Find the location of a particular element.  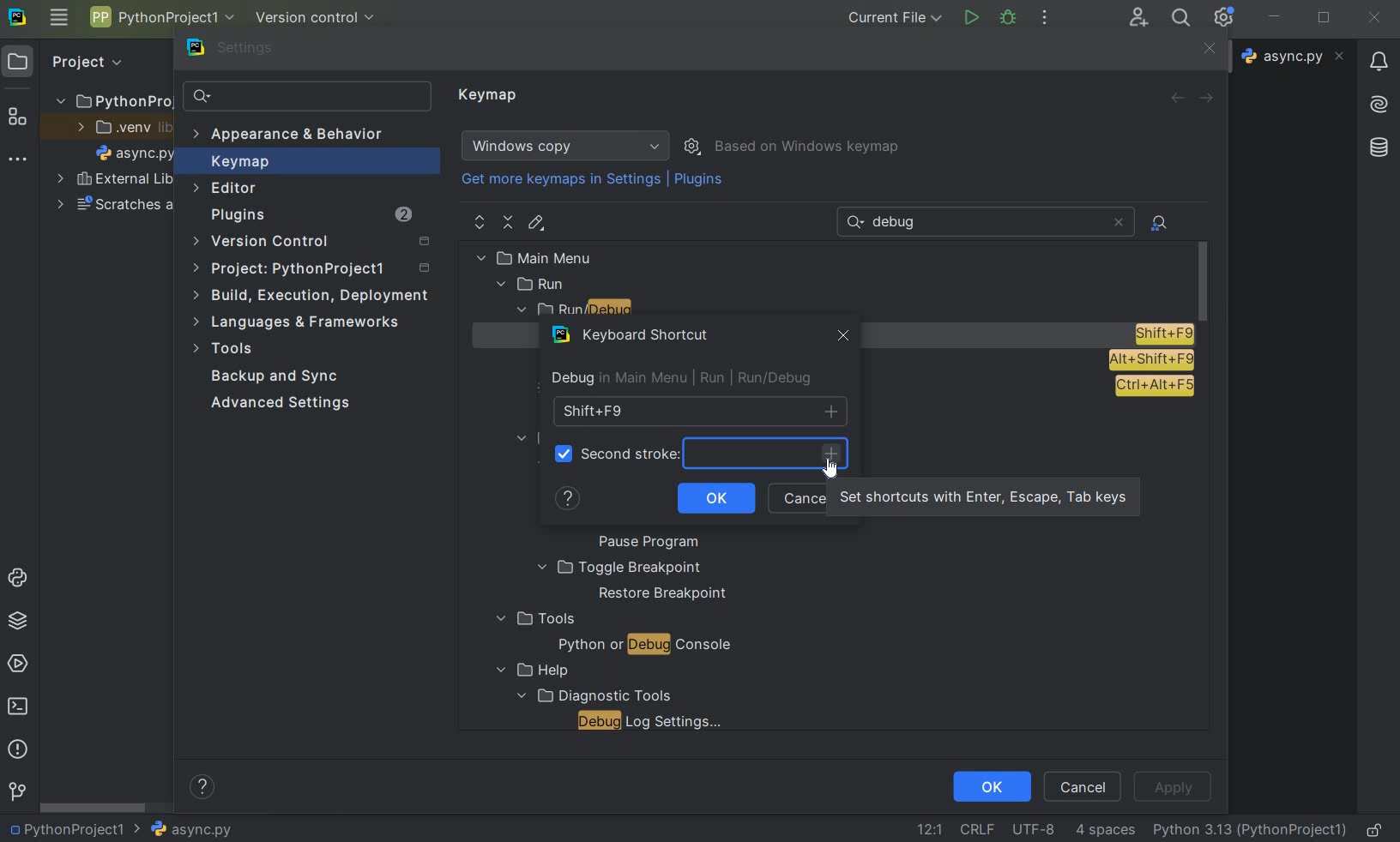

current file is located at coordinates (896, 17).